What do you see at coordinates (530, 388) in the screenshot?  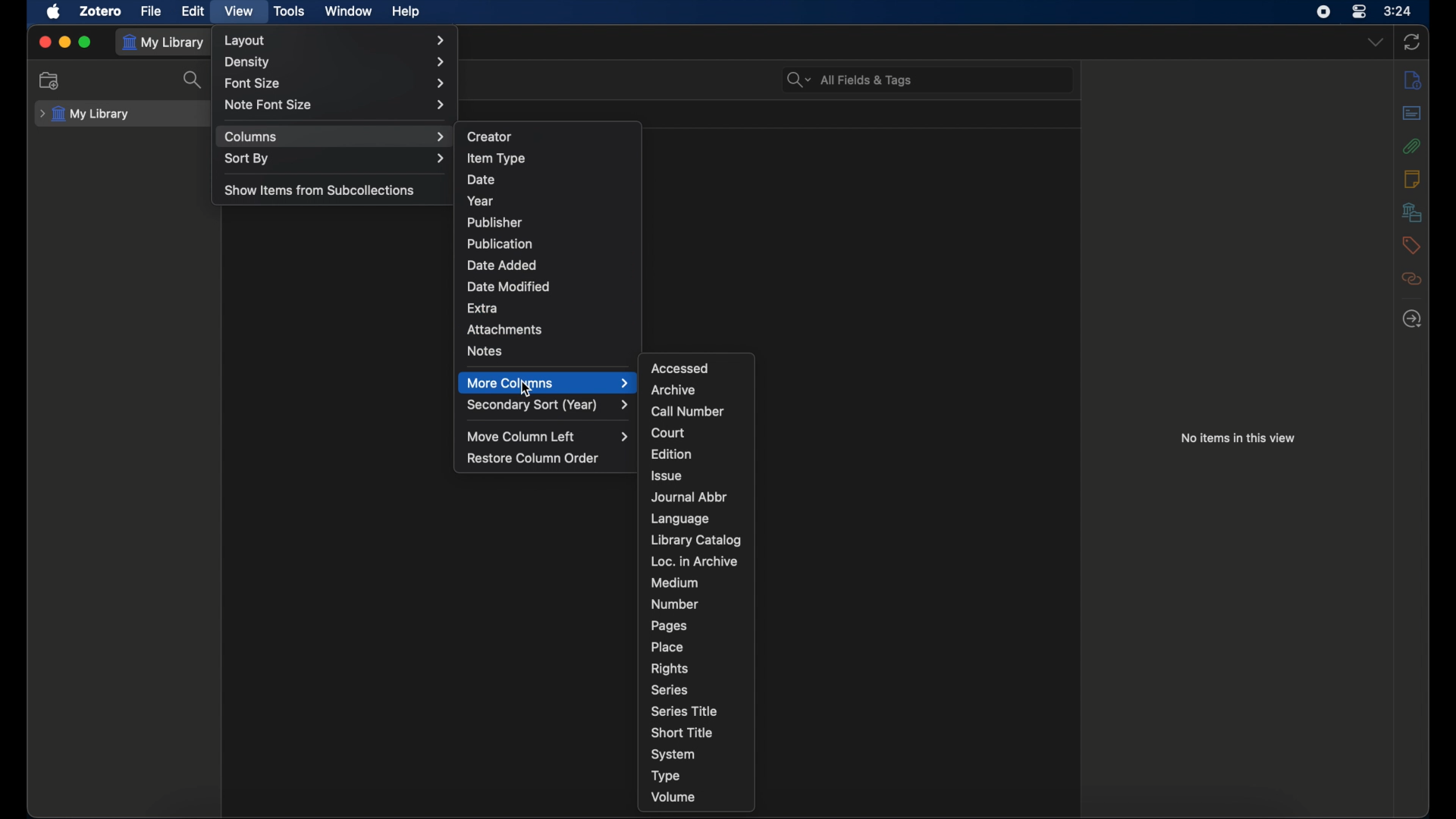 I see `Cursor` at bounding box center [530, 388].